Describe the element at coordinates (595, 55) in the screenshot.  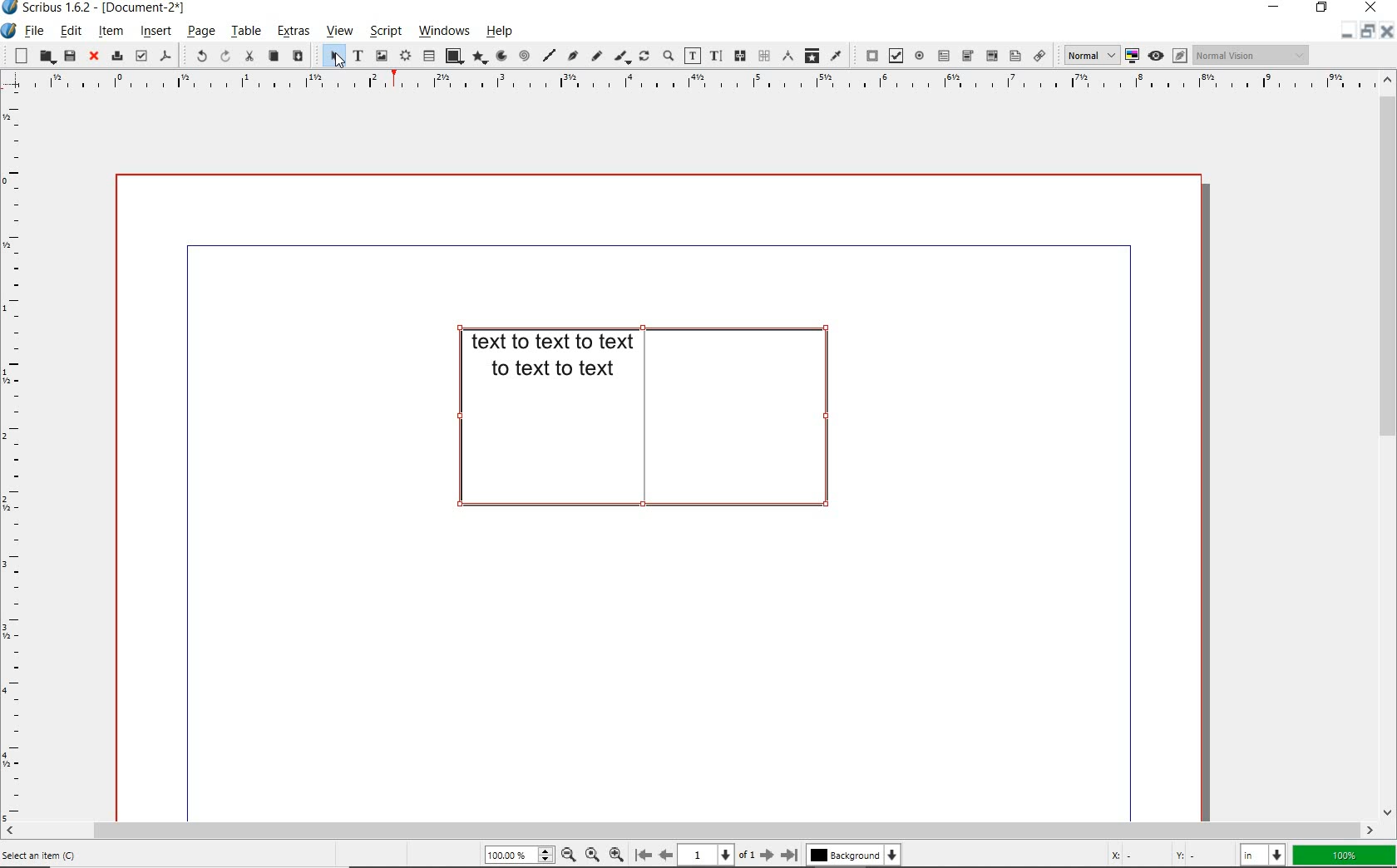
I see `freehand line` at that location.